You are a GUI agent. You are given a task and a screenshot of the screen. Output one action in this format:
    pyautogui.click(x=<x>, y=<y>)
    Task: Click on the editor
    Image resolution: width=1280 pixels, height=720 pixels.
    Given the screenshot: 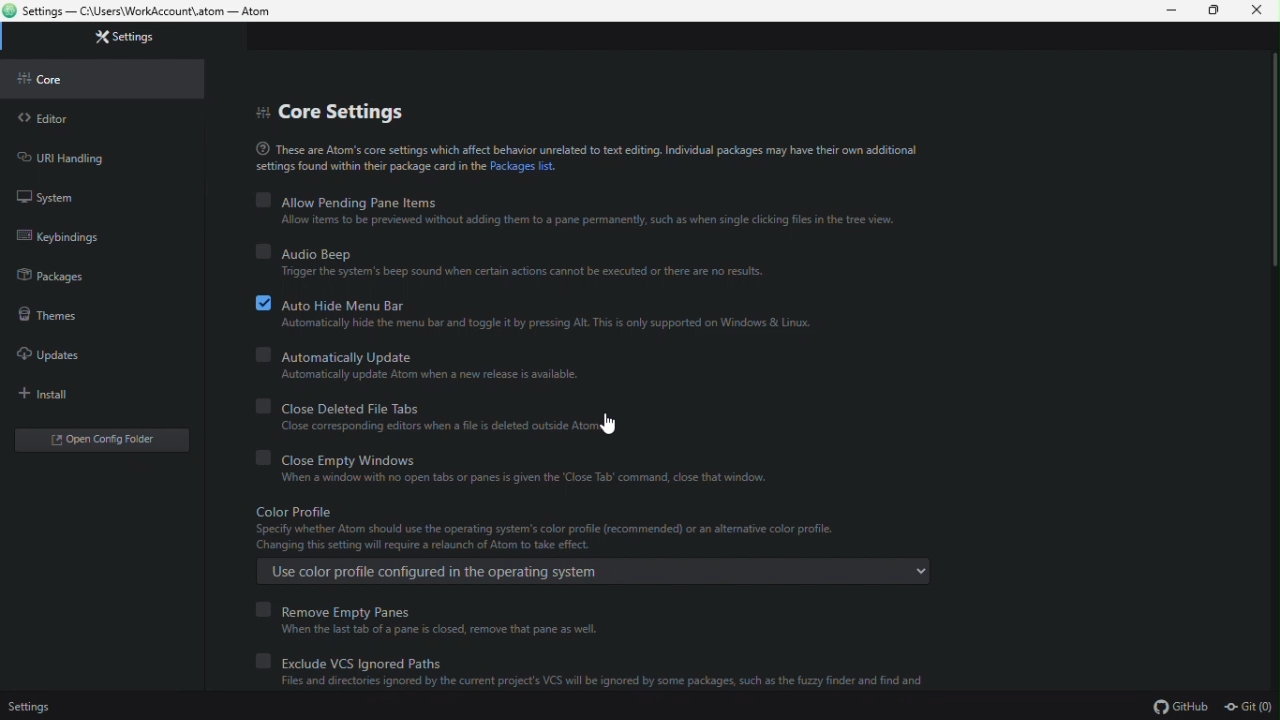 What is the action you would take?
    pyautogui.click(x=96, y=118)
    